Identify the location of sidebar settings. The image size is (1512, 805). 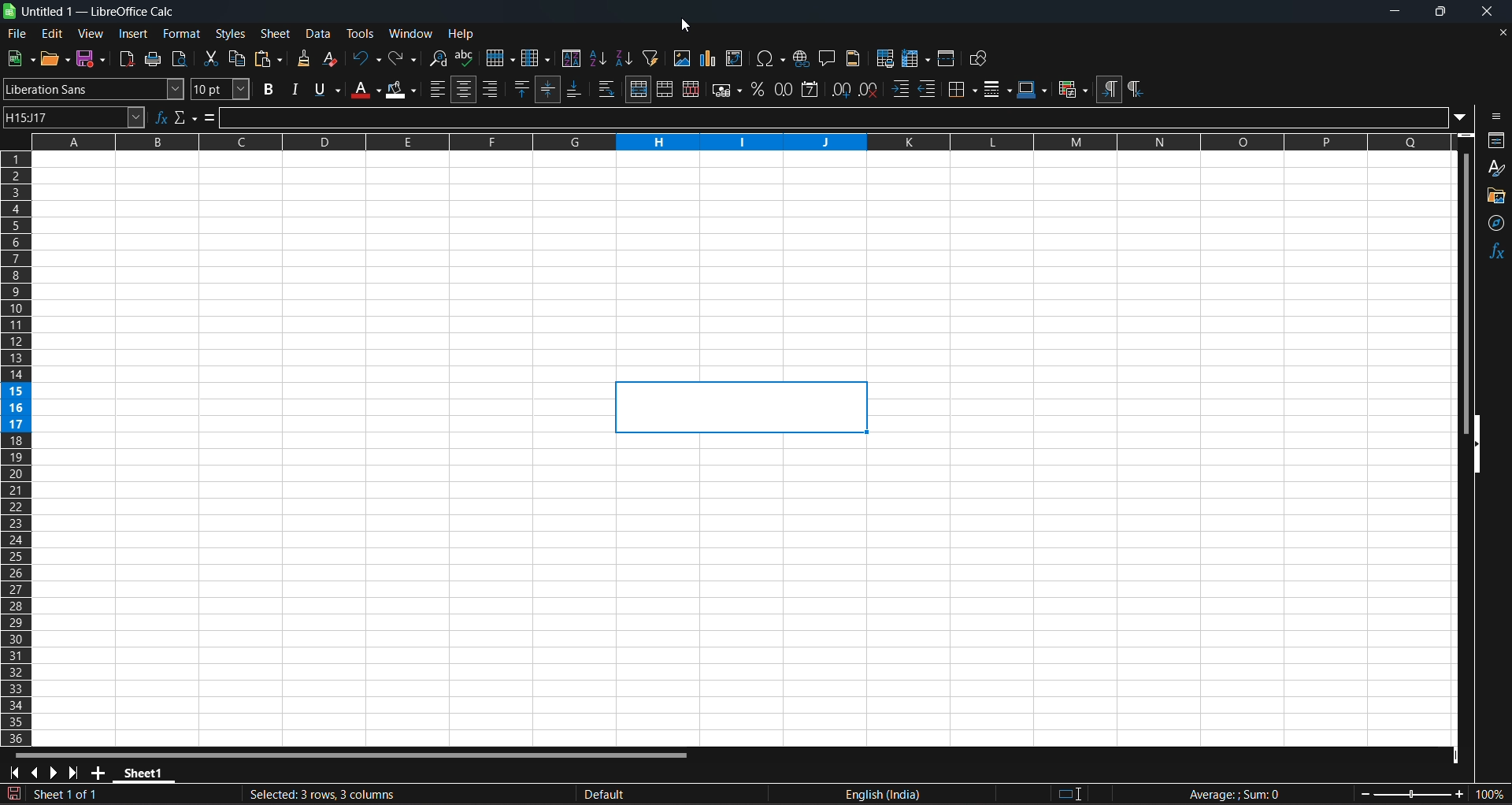
(1494, 117).